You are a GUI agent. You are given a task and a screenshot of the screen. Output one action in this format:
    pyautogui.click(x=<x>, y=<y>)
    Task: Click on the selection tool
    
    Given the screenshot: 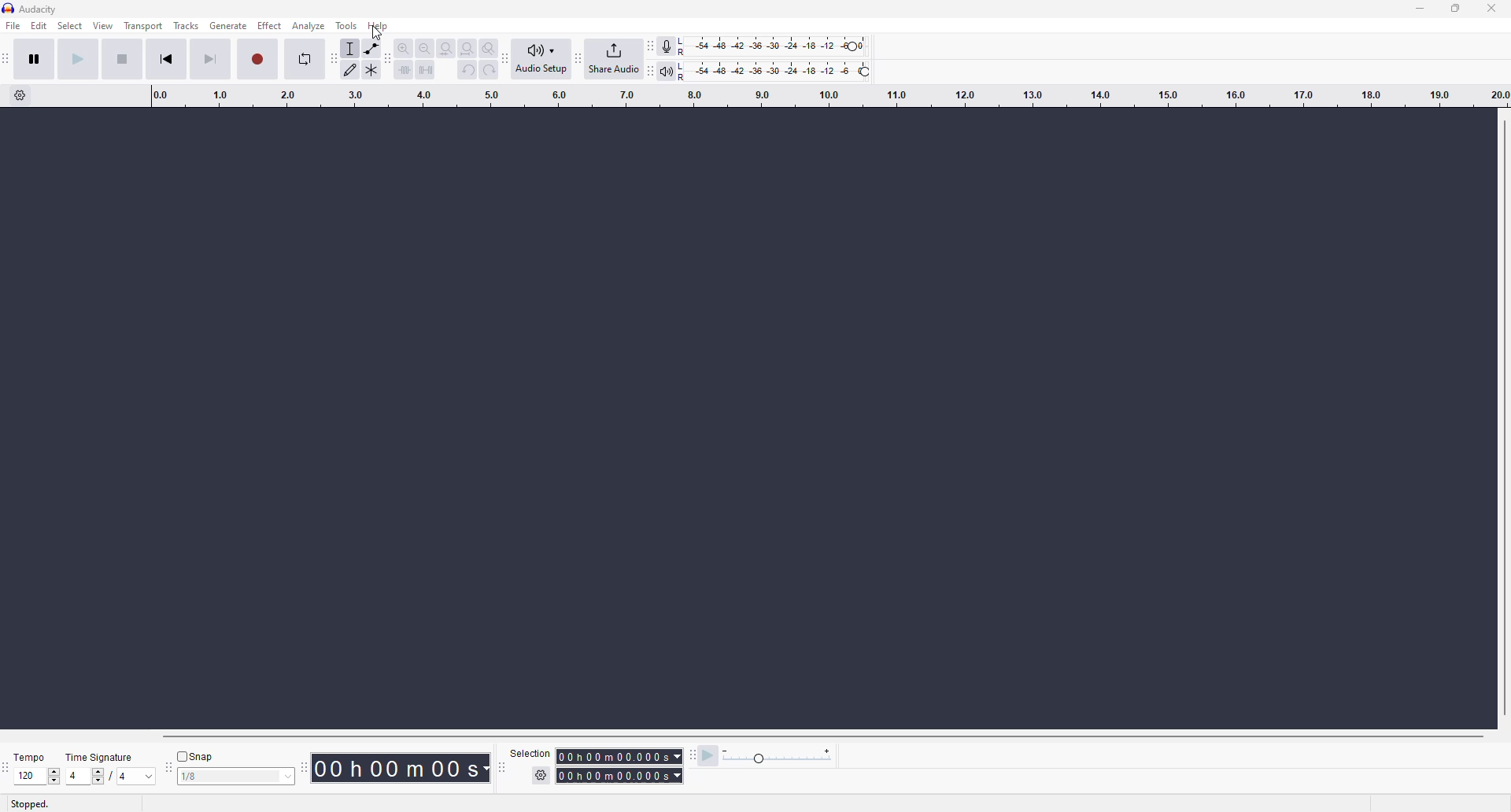 What is the action you would take?
    pyautogui.click(x=353, y=46)
    